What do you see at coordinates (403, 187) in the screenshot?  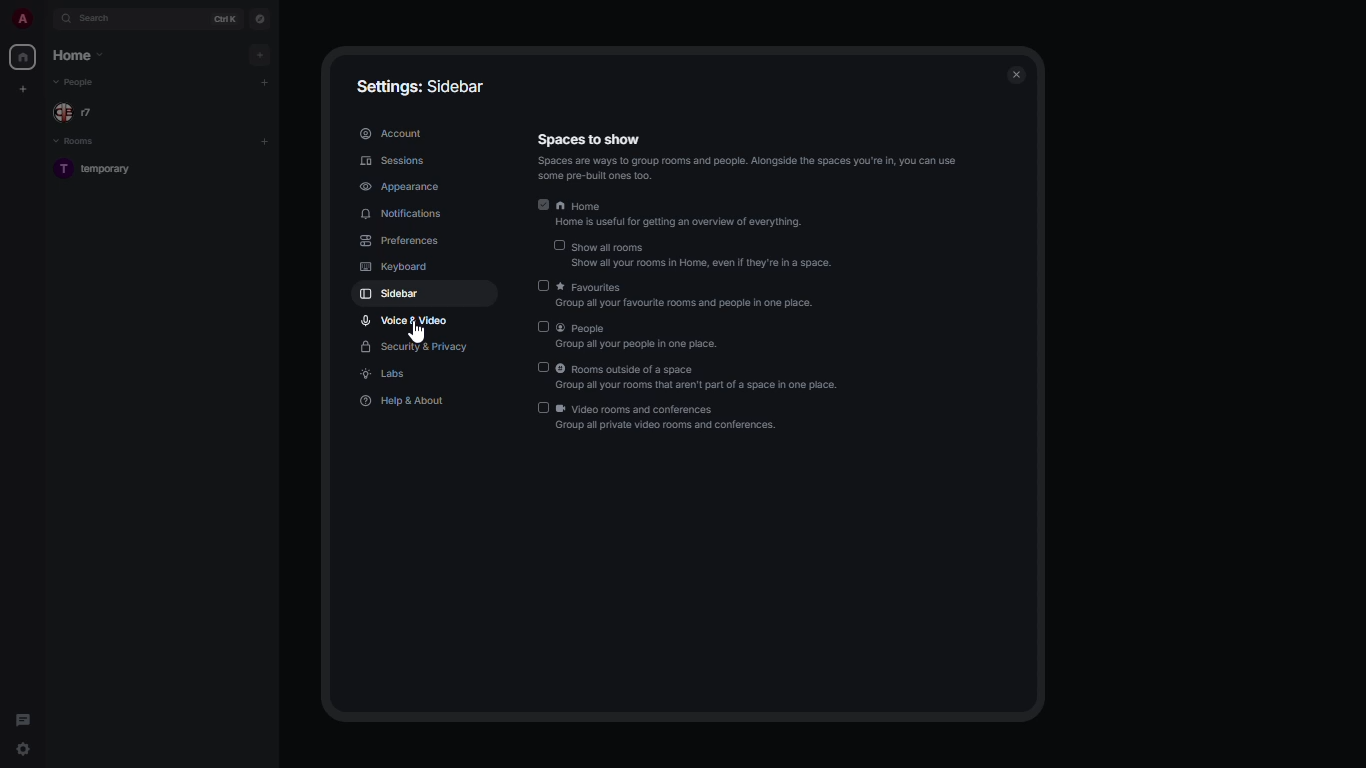 I see `appearance` at bounding box center [403, 187].